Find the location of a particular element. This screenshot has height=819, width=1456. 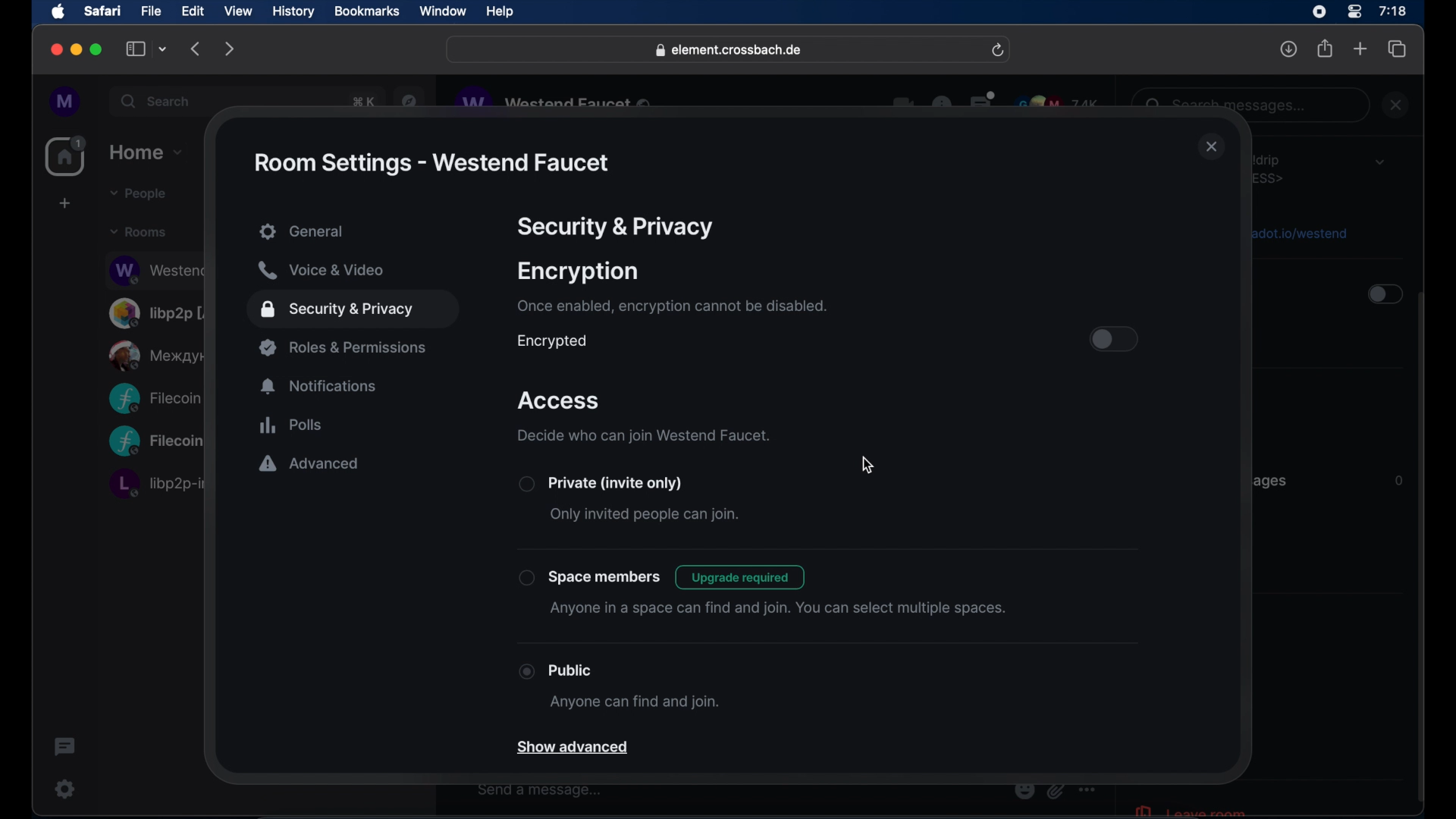

anyone can find and join is located at coordinates (633, 703).